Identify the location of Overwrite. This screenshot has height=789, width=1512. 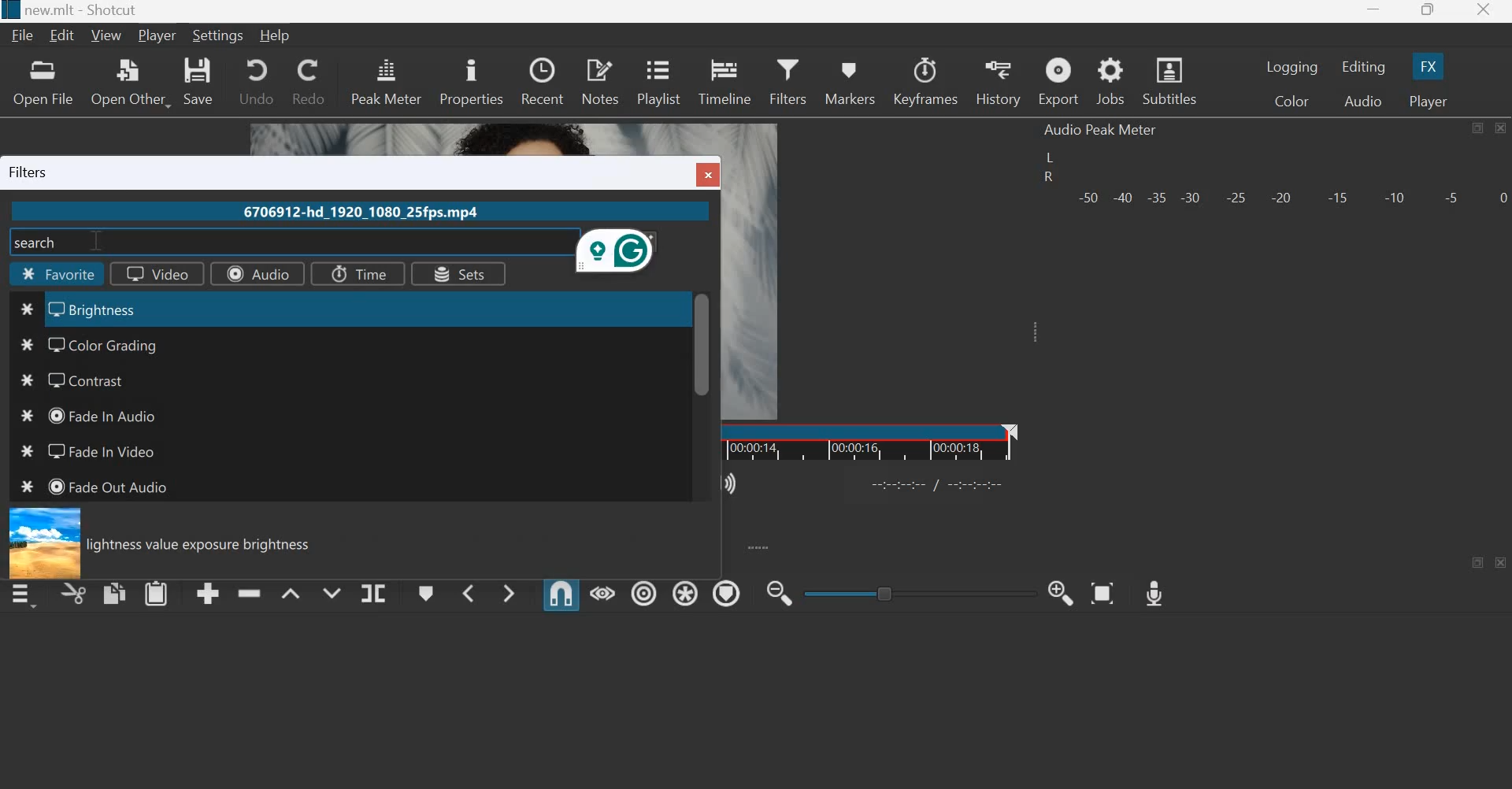
(329, 591).